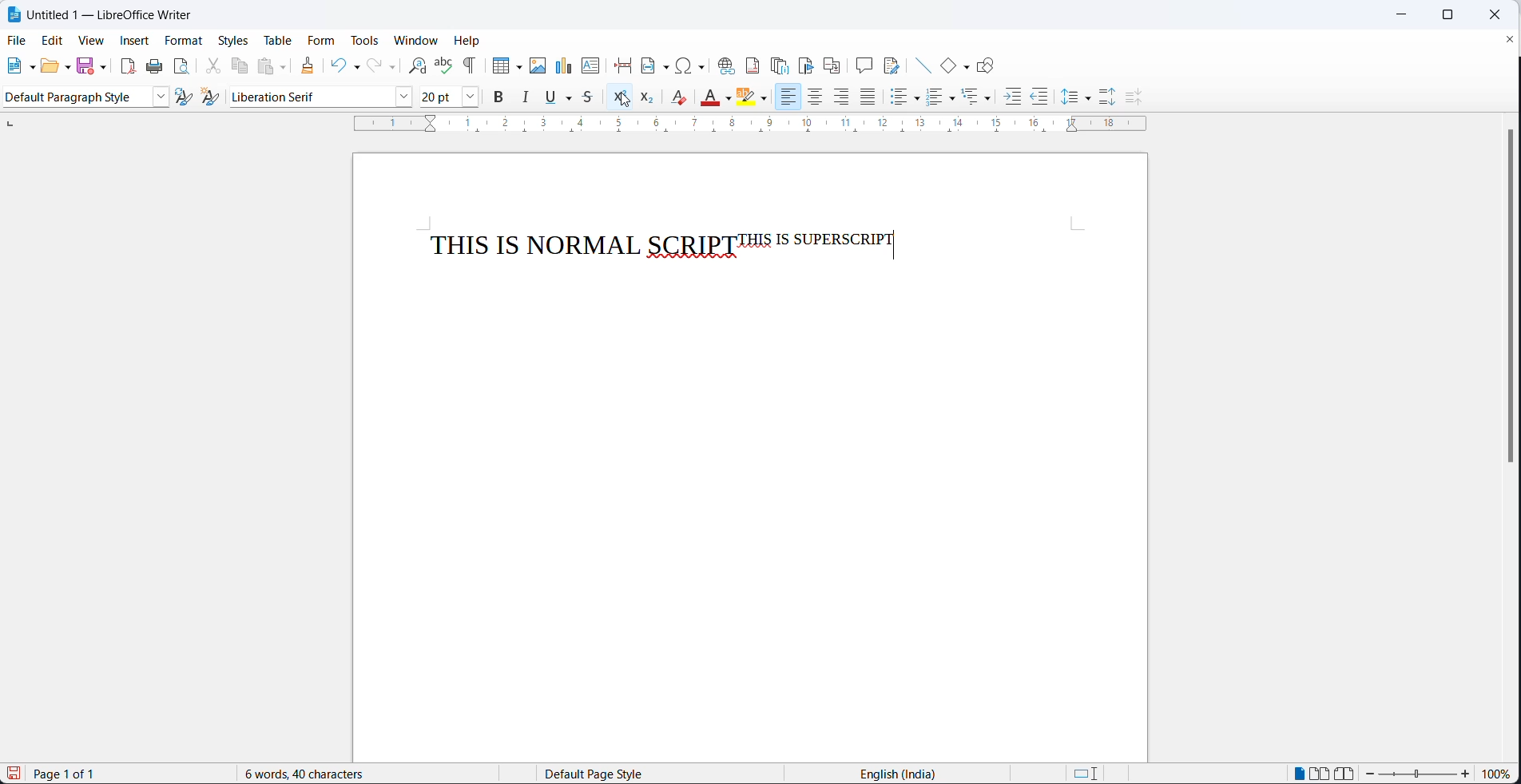 This screenshot has height=784, width=1521. What do you see at coordinates (1419, 776) in the screenshot?
I see `zoom slider` at bounding box center [1419, 776].